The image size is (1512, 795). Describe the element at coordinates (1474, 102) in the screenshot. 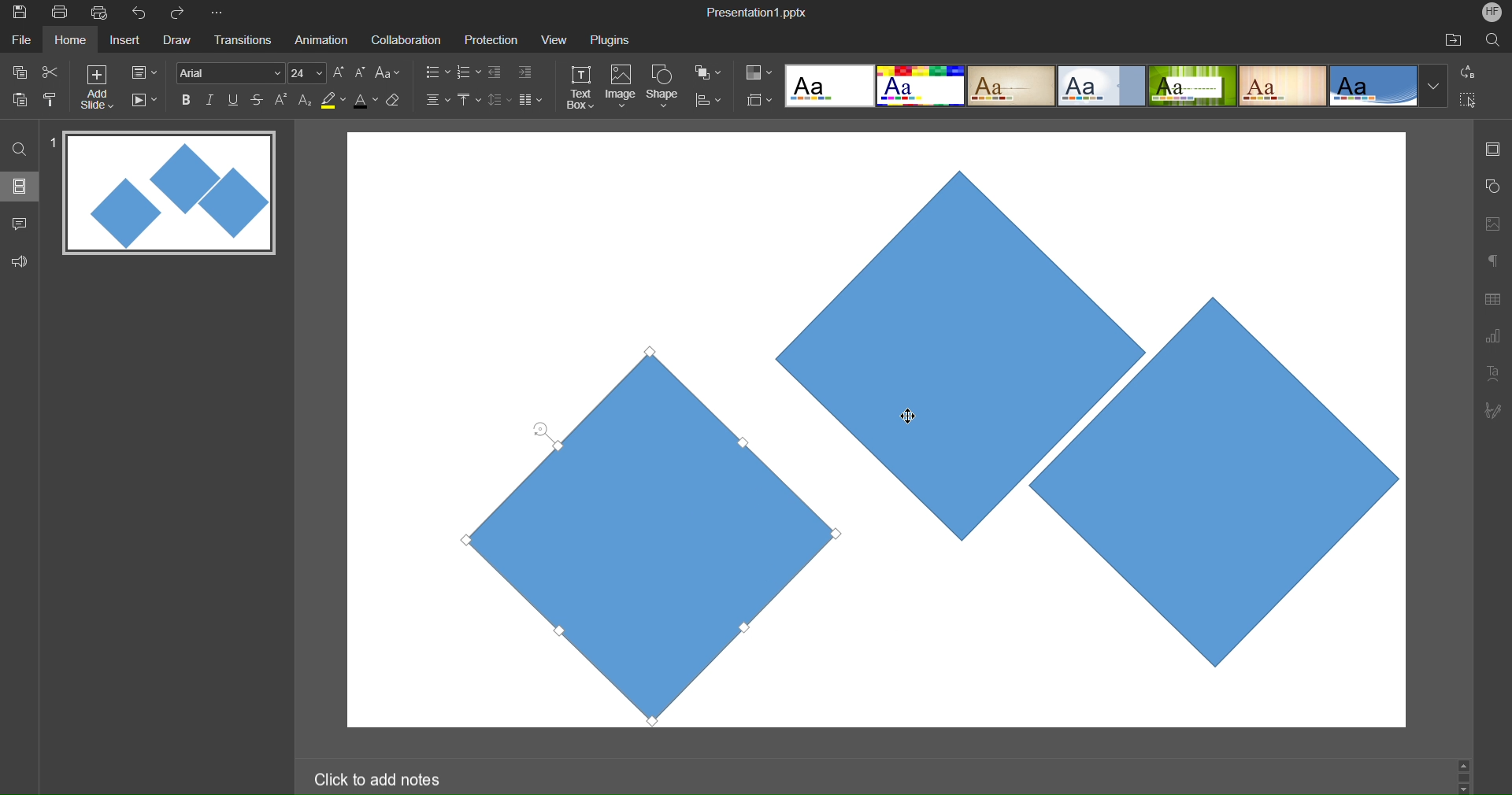

I see `select` at that location.